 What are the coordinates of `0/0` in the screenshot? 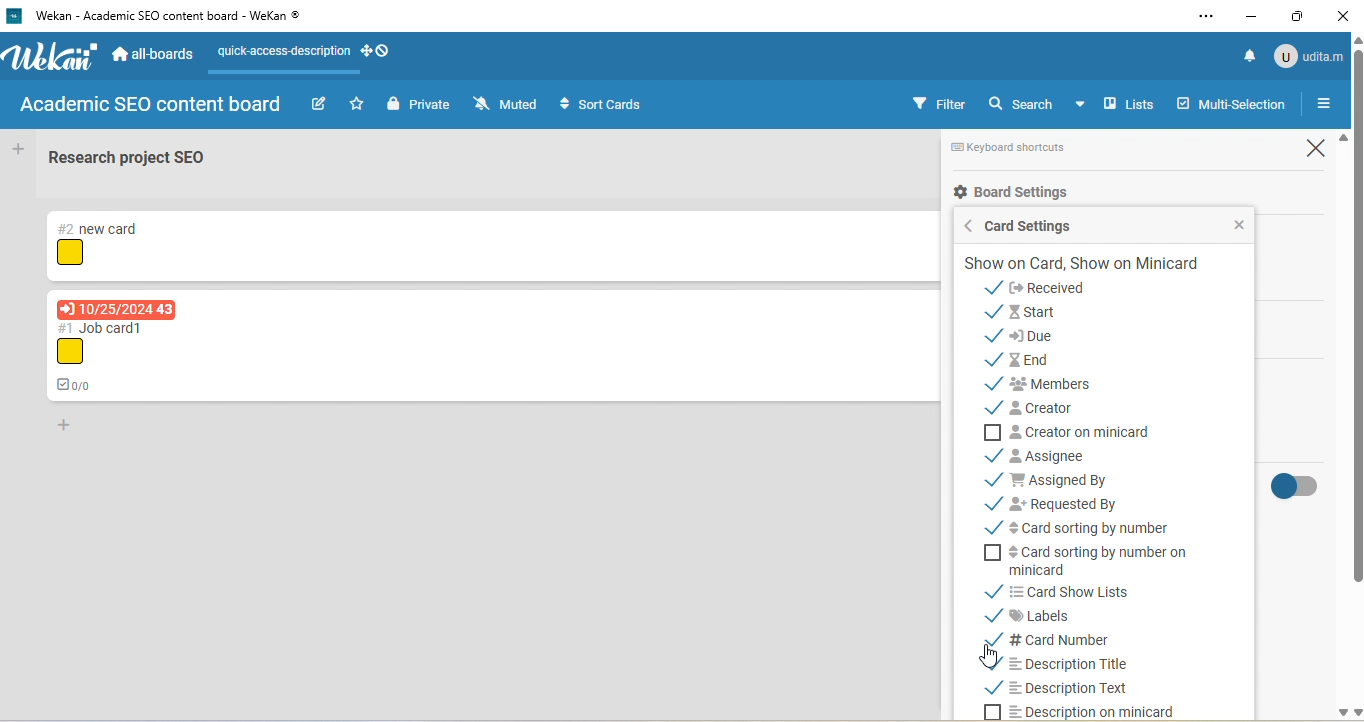 It's located at (77, 384).